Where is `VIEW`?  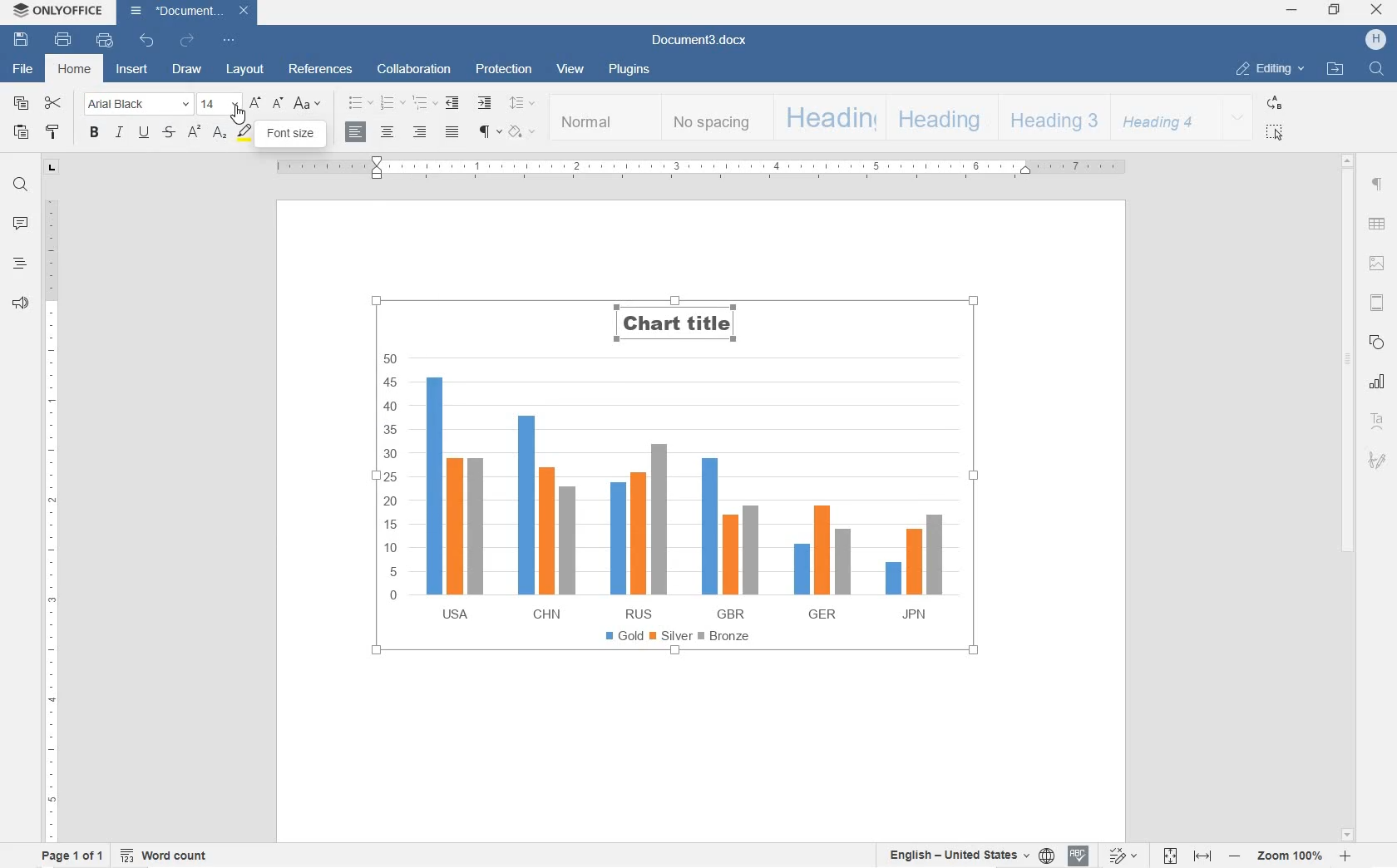 VIEW is located at coordinates (572, 71).